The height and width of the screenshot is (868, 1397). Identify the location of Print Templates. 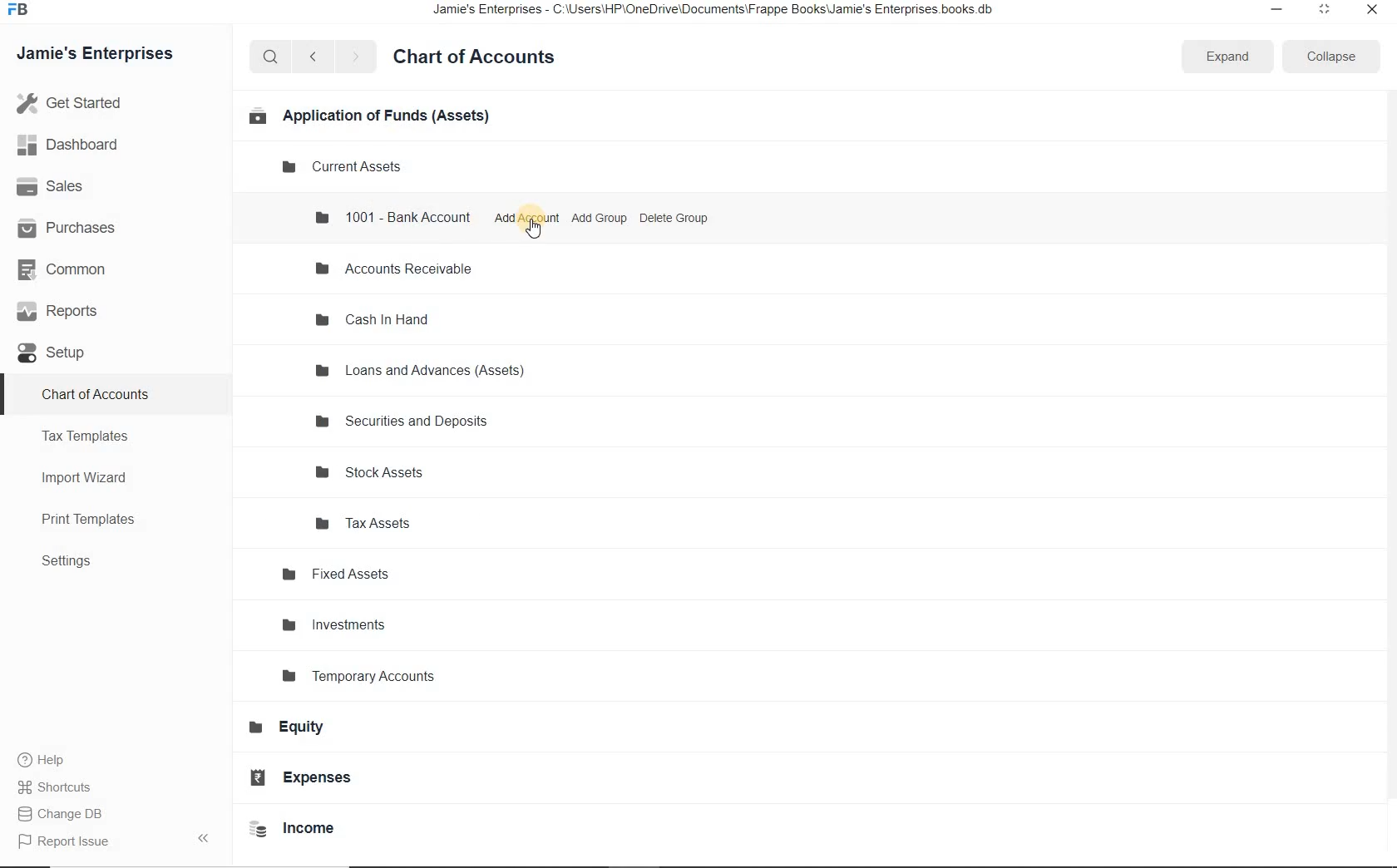
(97, 520).